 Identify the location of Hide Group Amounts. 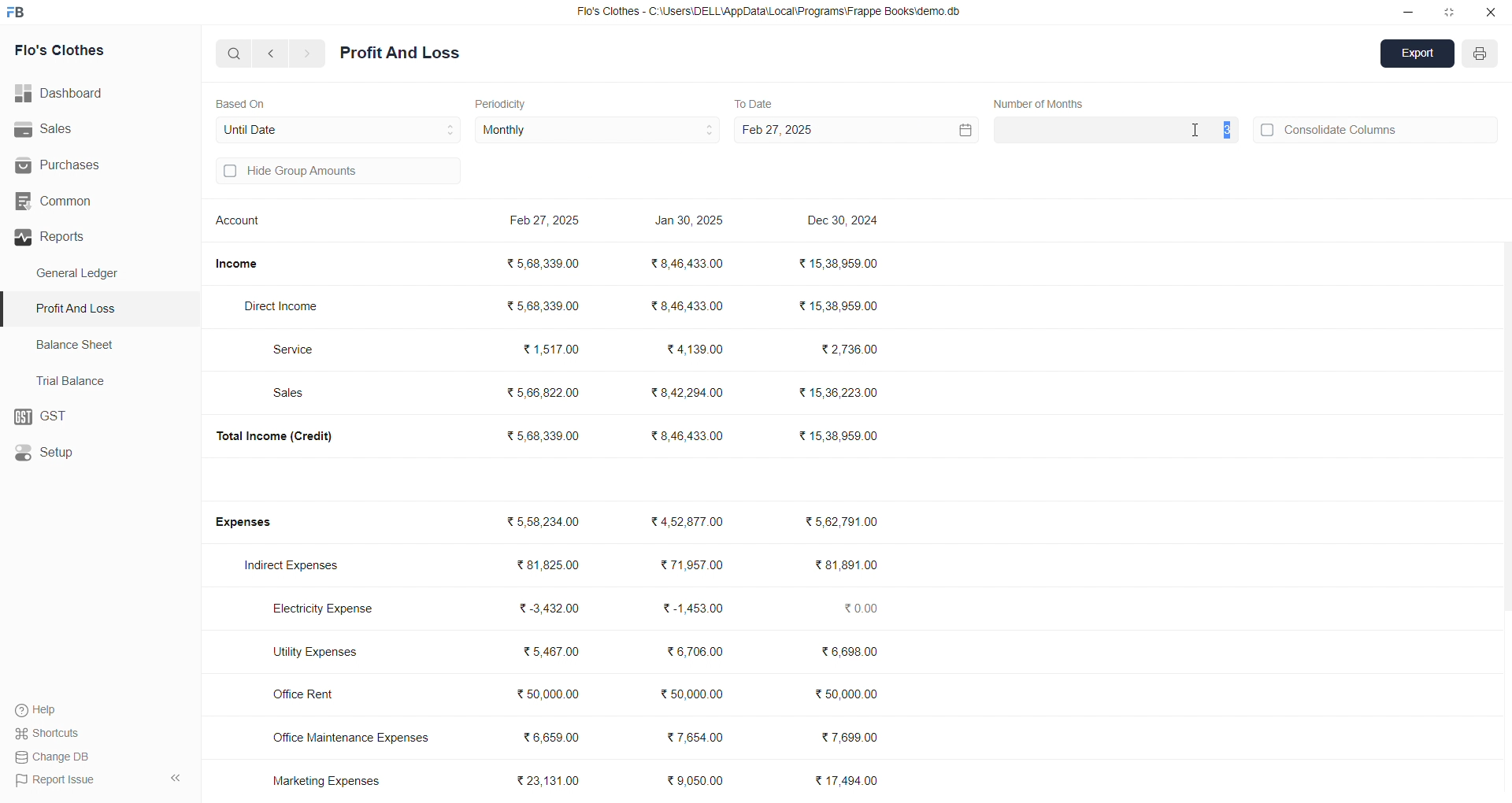
(335, 172).